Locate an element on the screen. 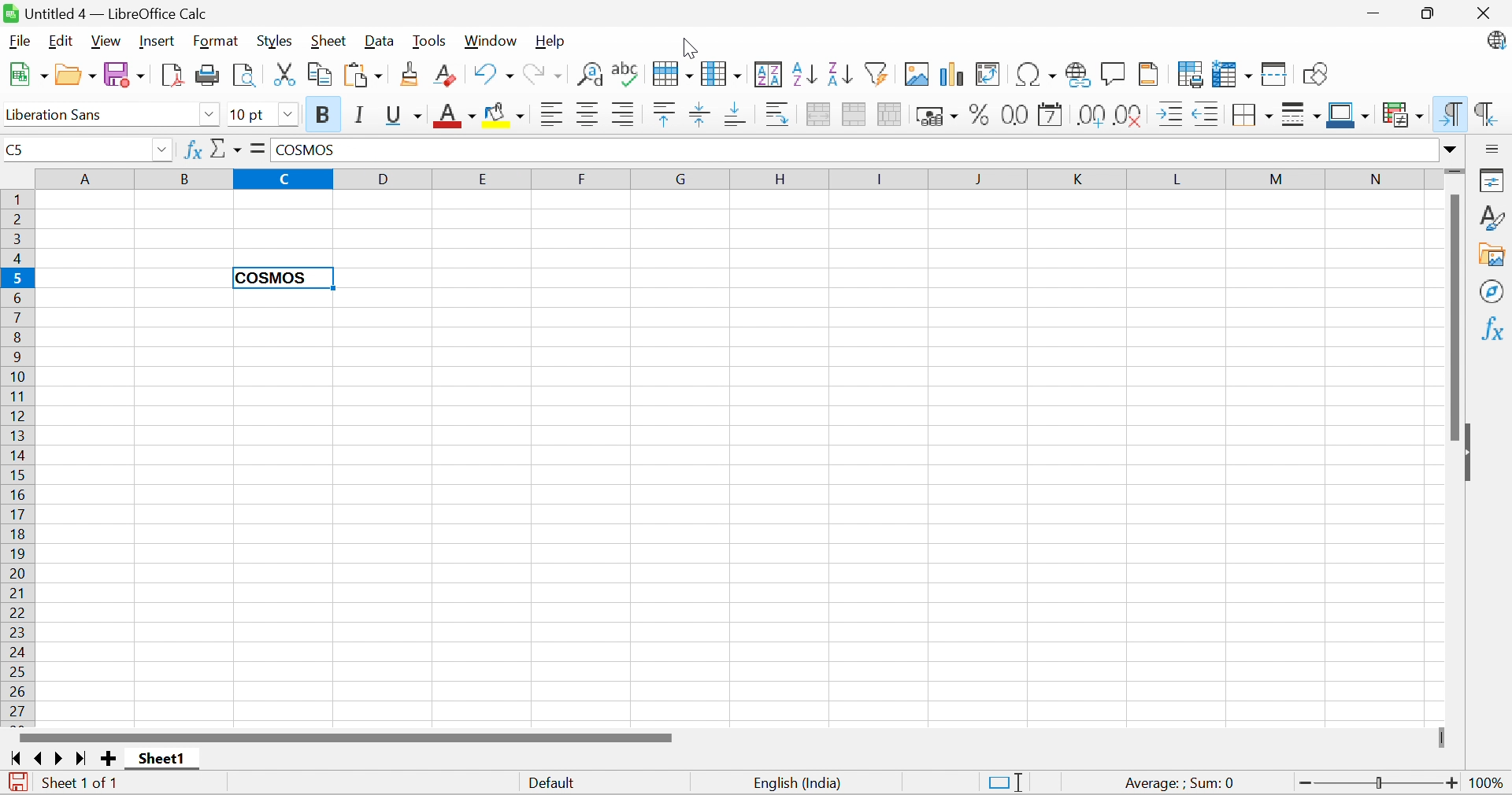 Image resolution: width=1512 pixels, height=795 pixels. Remove Decimal Place is located at coordinates (1128, 115).